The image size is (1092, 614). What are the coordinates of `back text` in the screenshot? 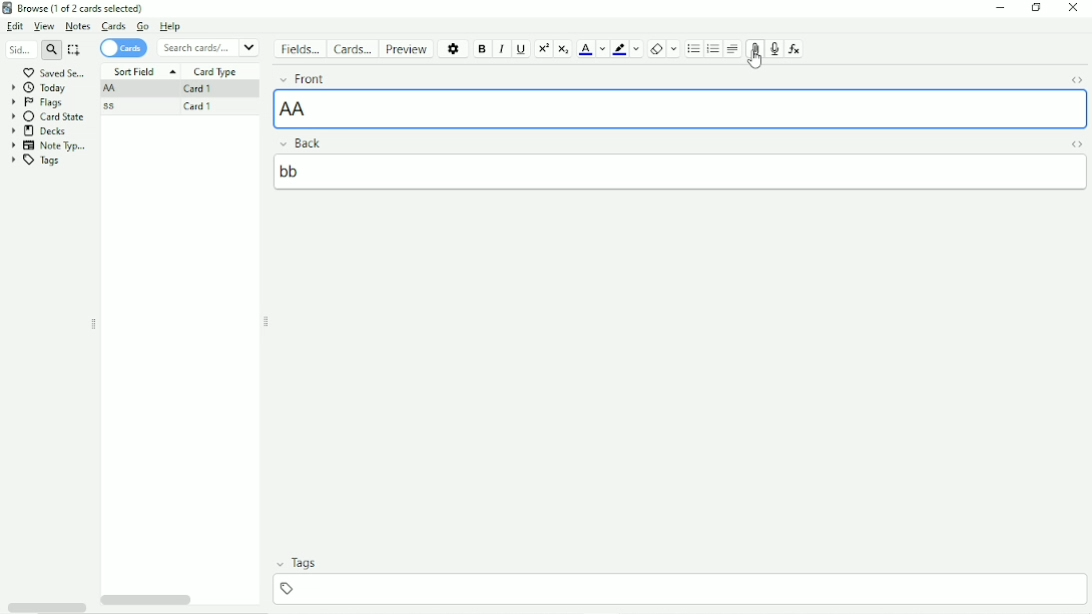 It's located at (677, 172).